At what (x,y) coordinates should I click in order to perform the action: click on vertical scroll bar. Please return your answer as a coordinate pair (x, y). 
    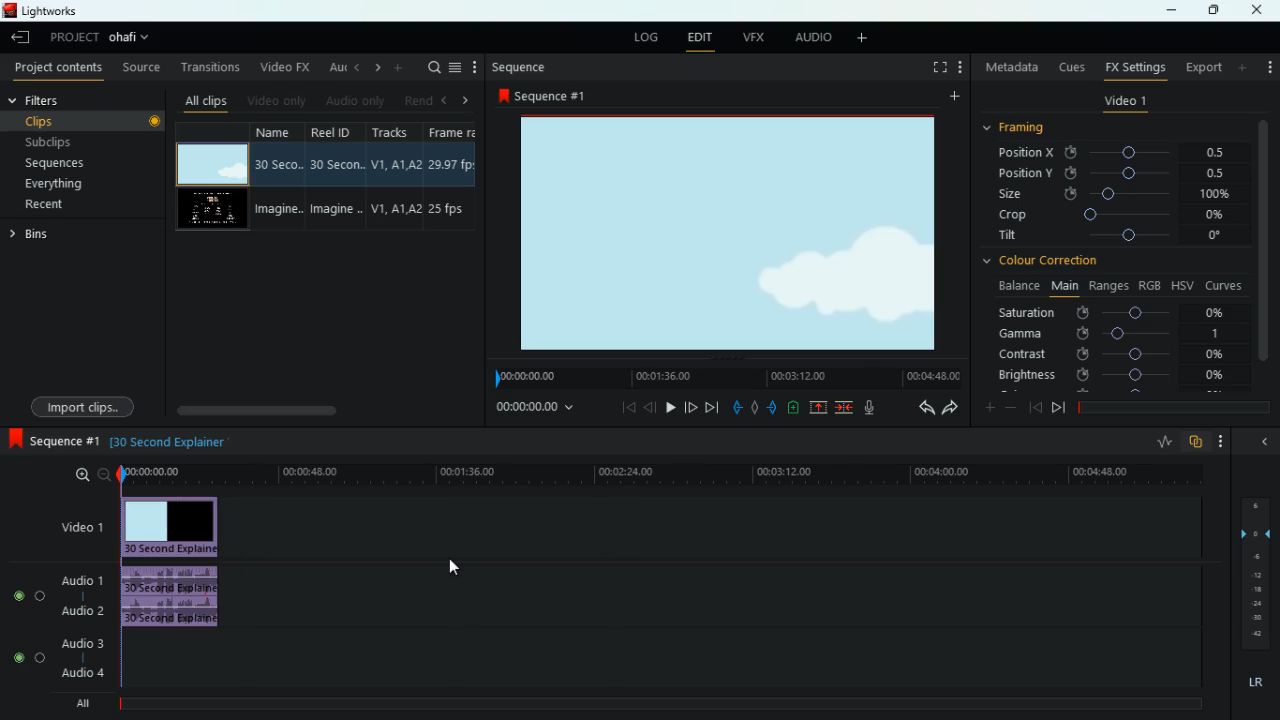
    Looking at the image, I should click on (1263, 248).